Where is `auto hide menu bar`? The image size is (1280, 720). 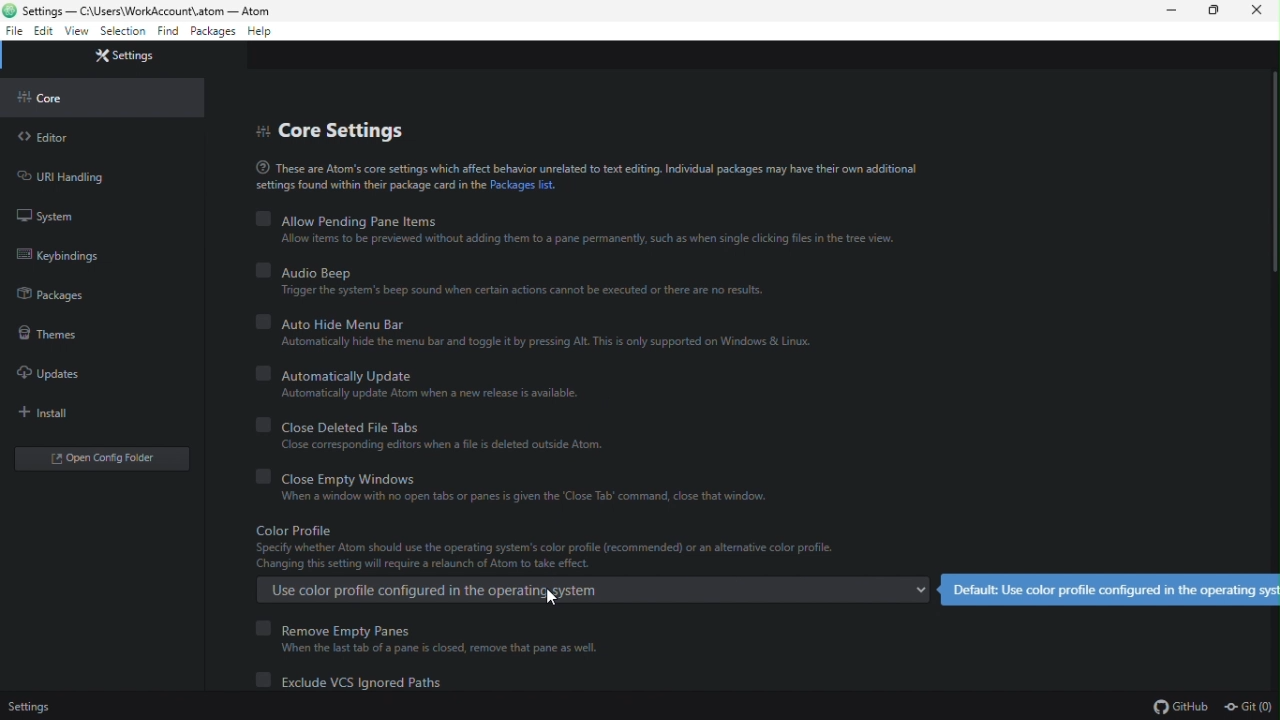 auto hide menu bar is located at coordinates (541, 330).